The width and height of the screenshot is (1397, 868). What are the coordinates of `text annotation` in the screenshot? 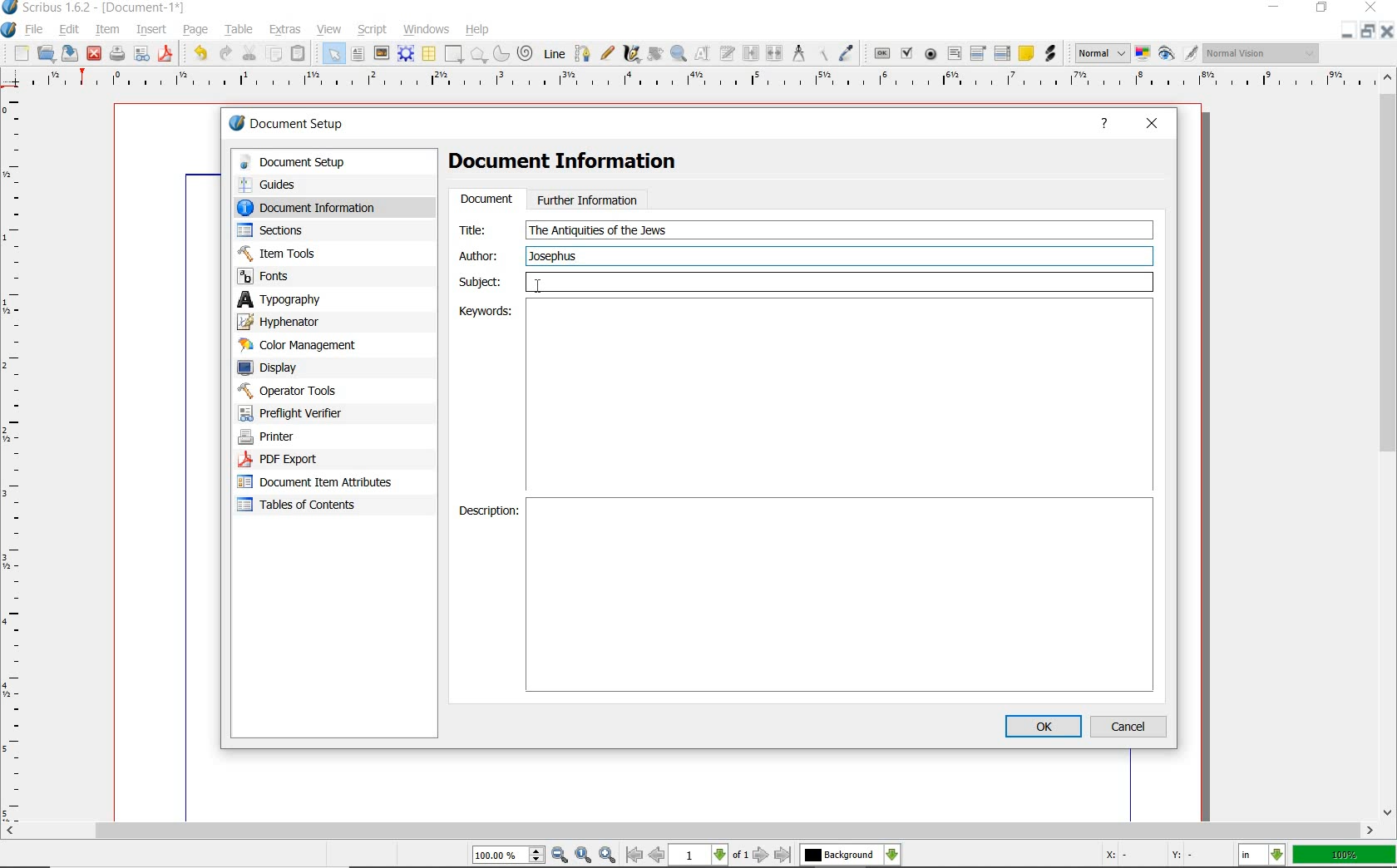 It's located at (1025, 55).